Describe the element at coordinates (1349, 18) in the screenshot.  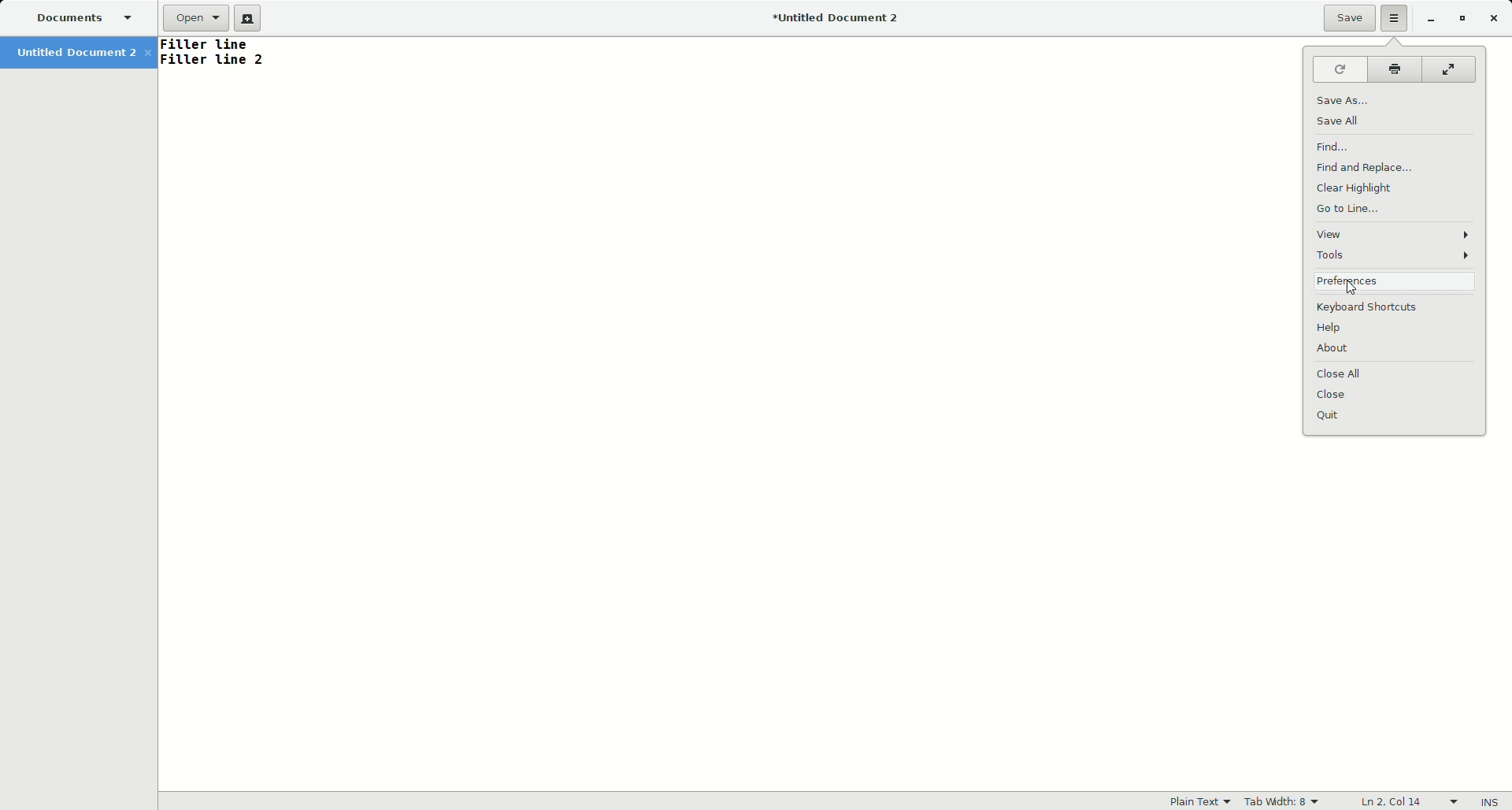
I see `Save` at that location.